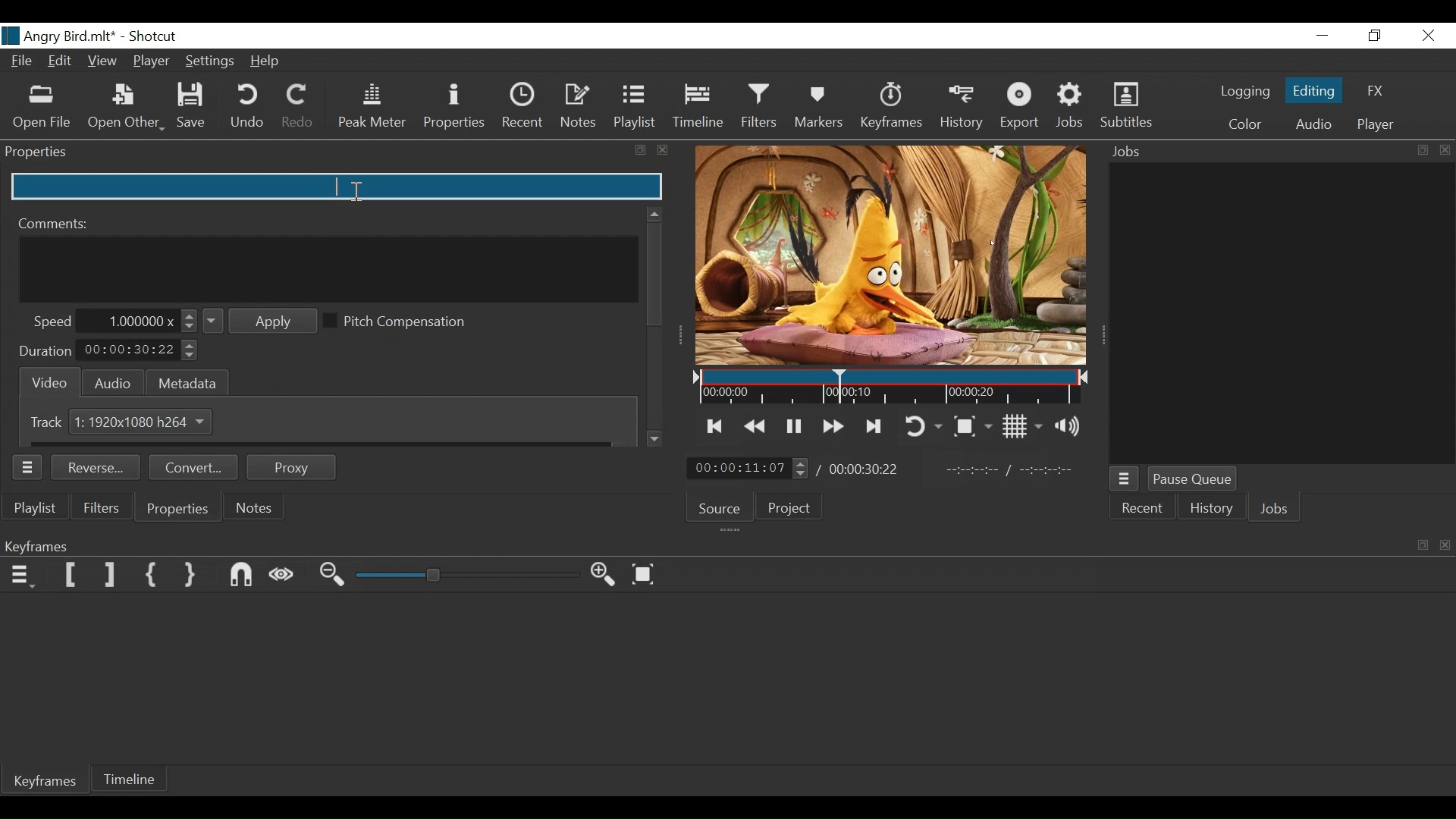  Describe the element at coordinates (1018, 108) in the screenshot. I see `Export` at that location.